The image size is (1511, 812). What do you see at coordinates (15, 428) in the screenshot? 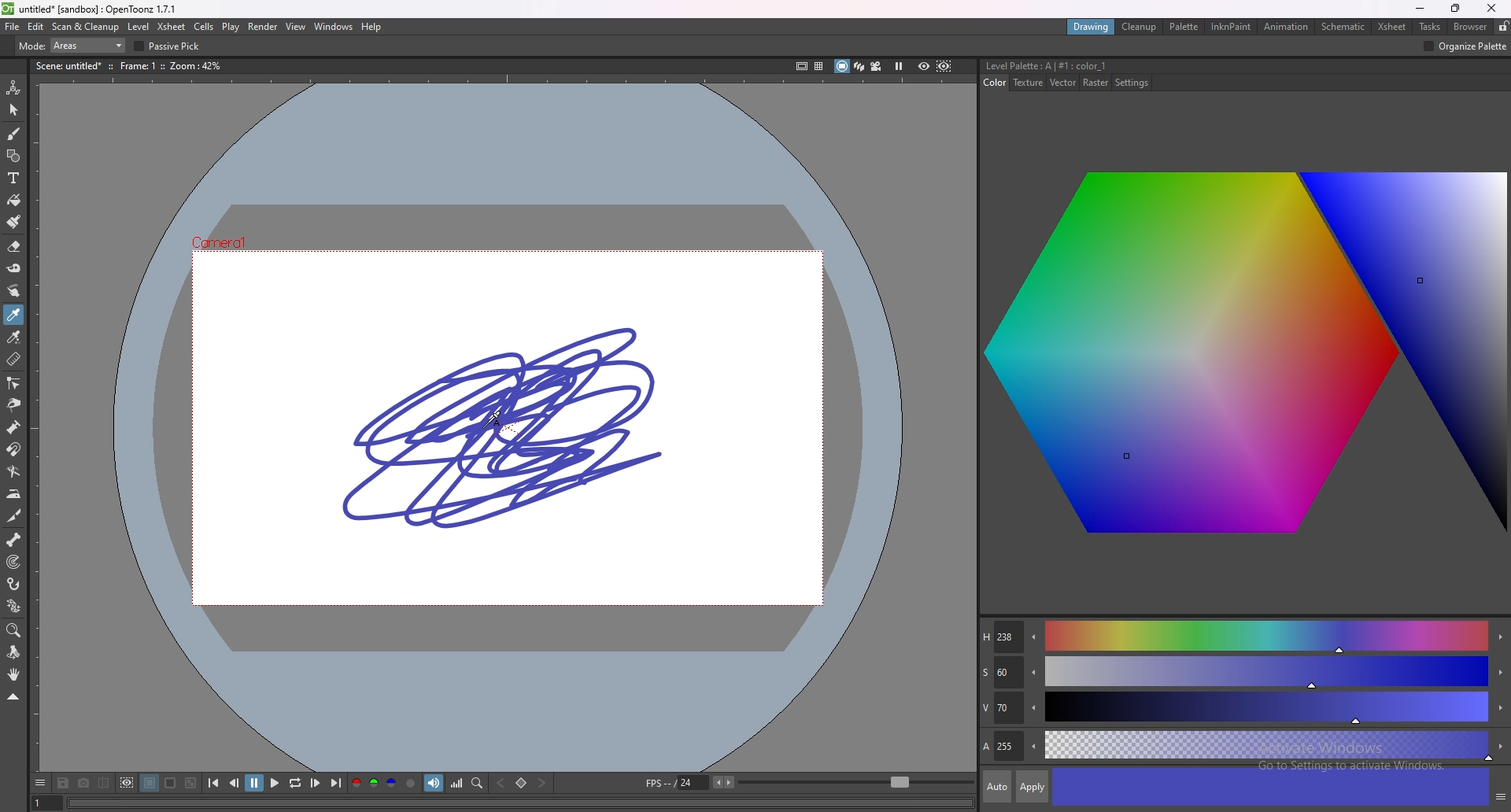
I see `pump tool` at bounding box center [15, 428].